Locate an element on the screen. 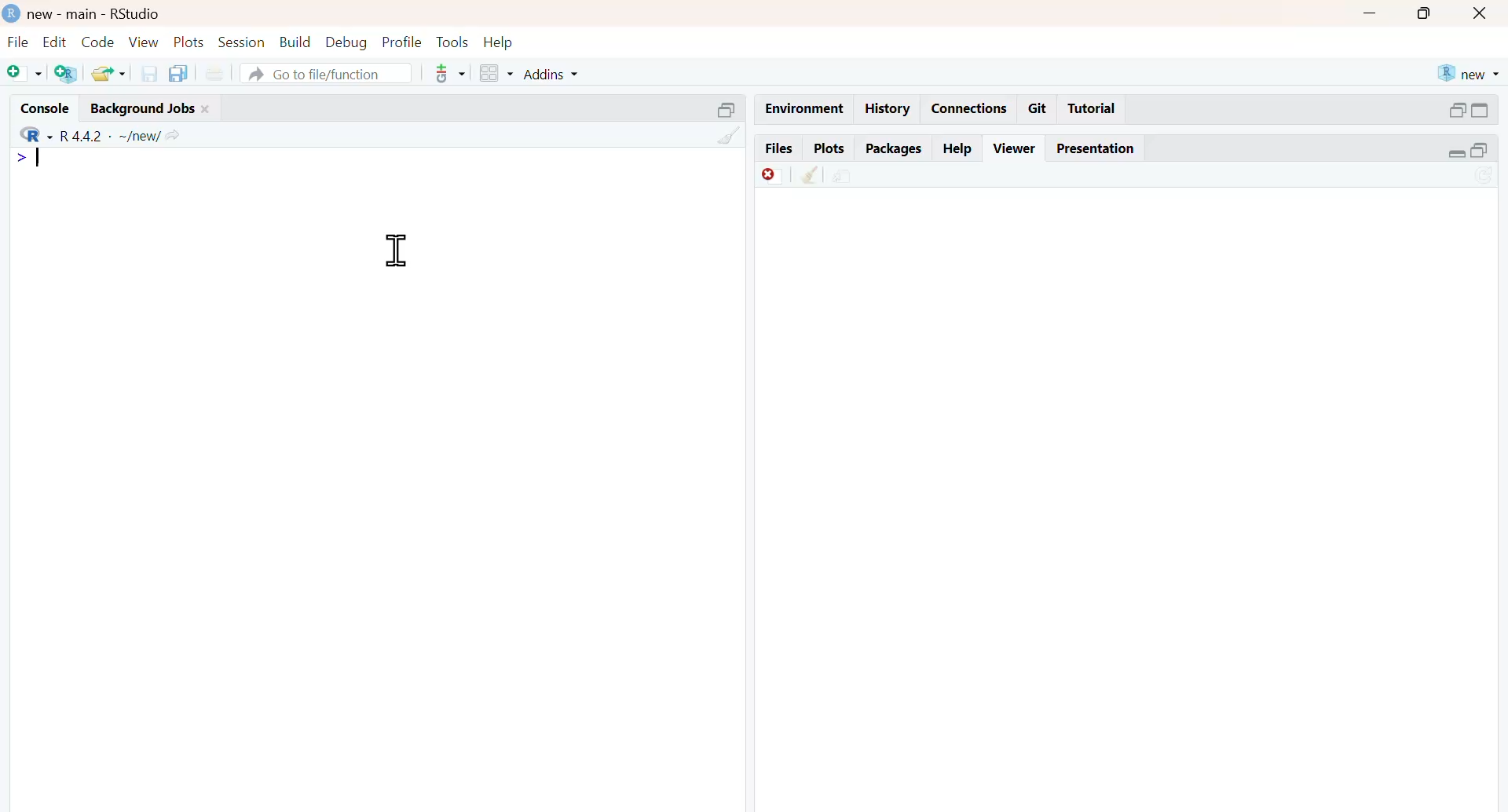  R 4.4.2 ~/new/ is located at coordinates (110, 135).